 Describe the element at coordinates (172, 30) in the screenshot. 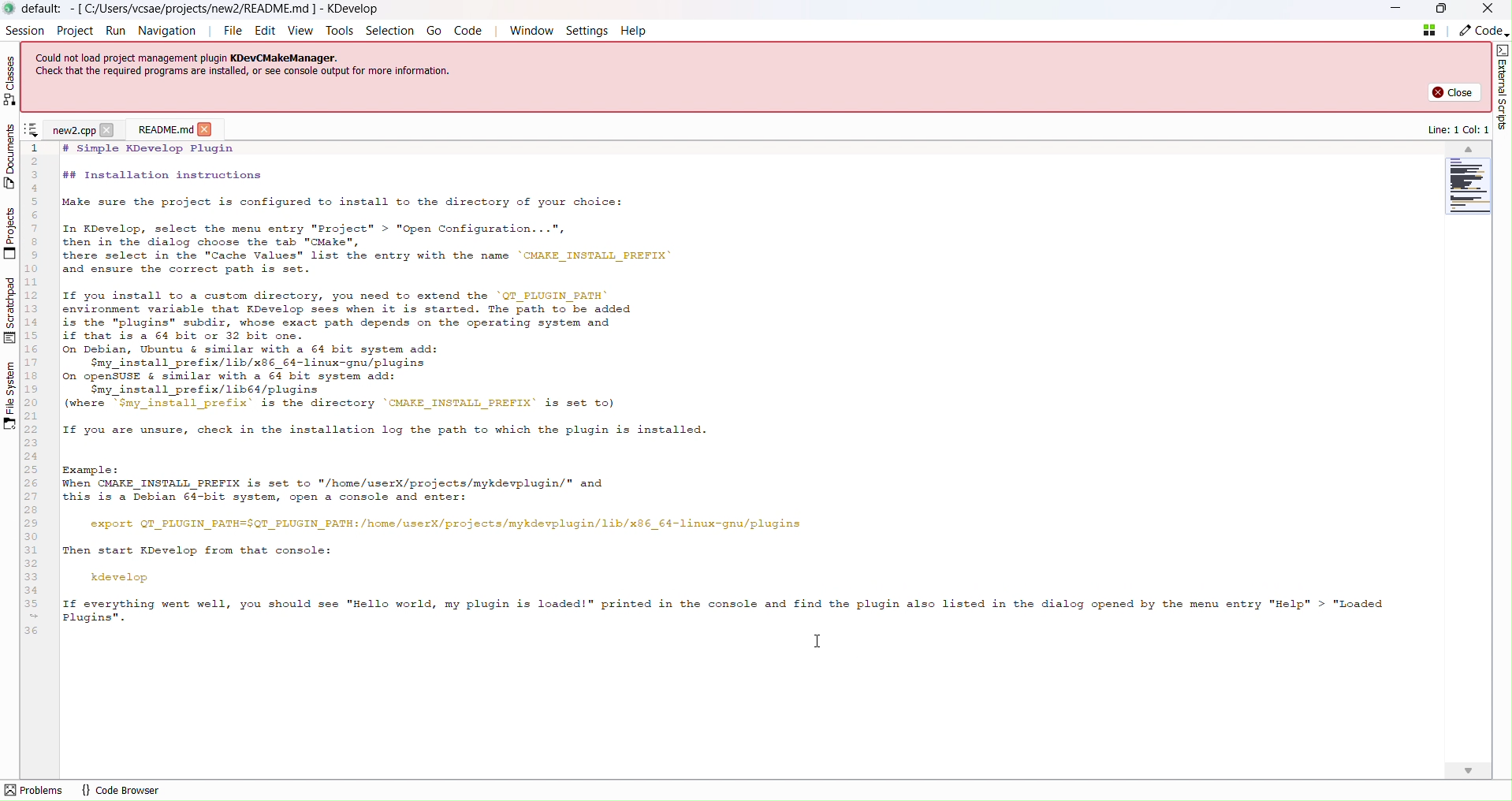

I see `Navigation` at that location.